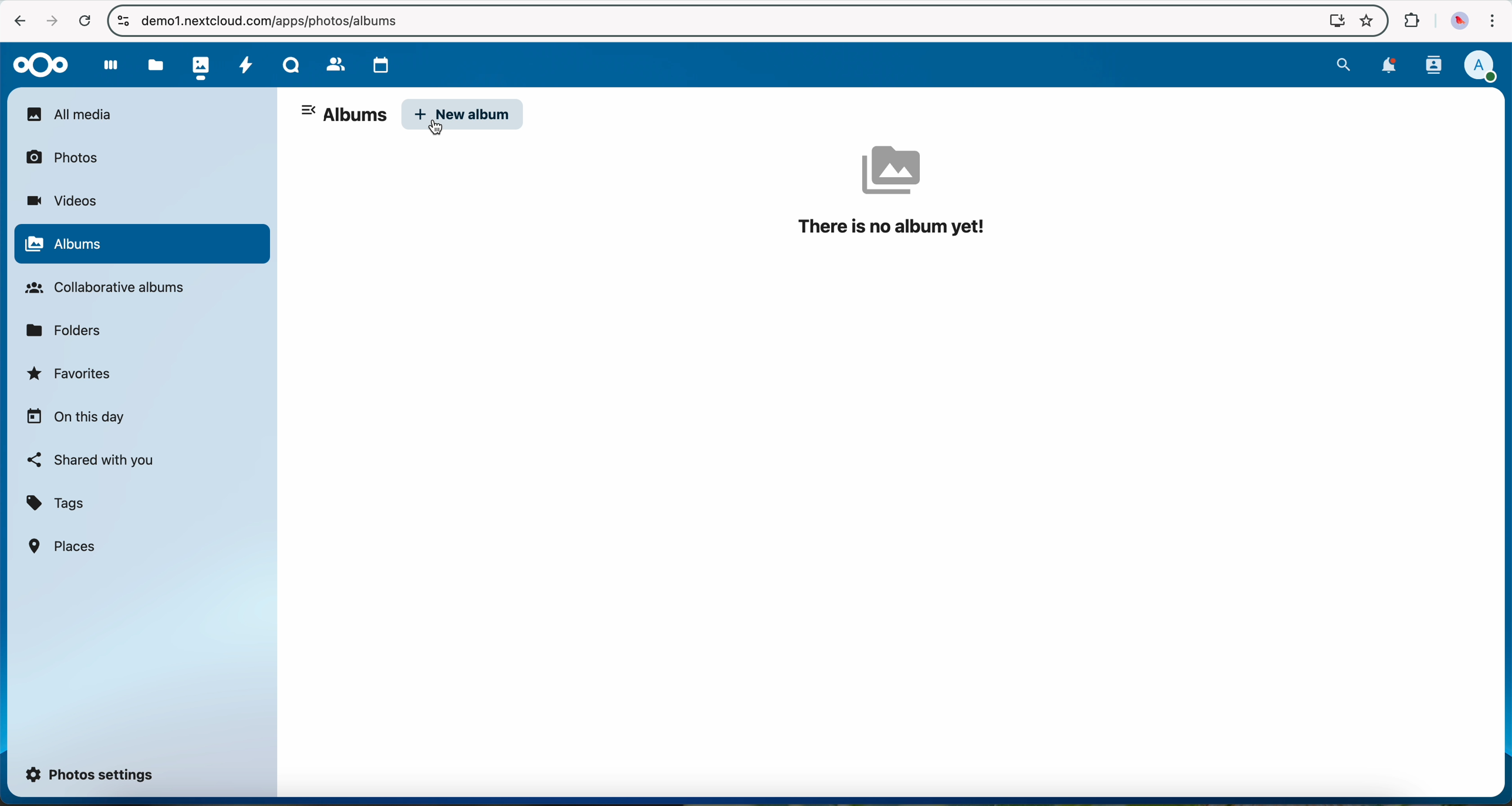  What do you see at coordinates (1457, 22) in the screenshot?
I see `profile picture` at bounding box center [1457, 22].